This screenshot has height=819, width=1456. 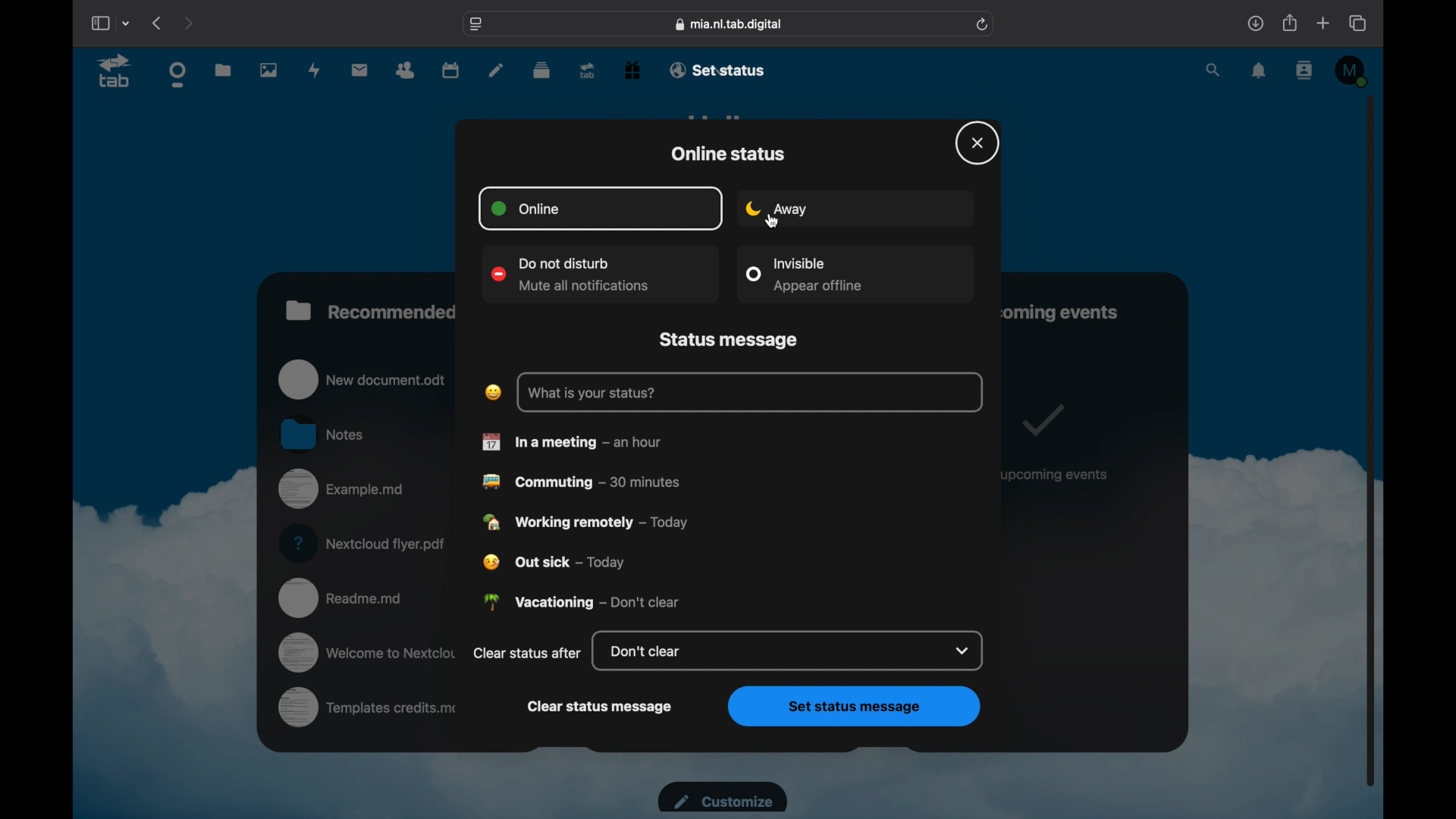 What do you see at coordinates (978, 143) in the screenshot?
I see `close` at bounding box center [978, 143].